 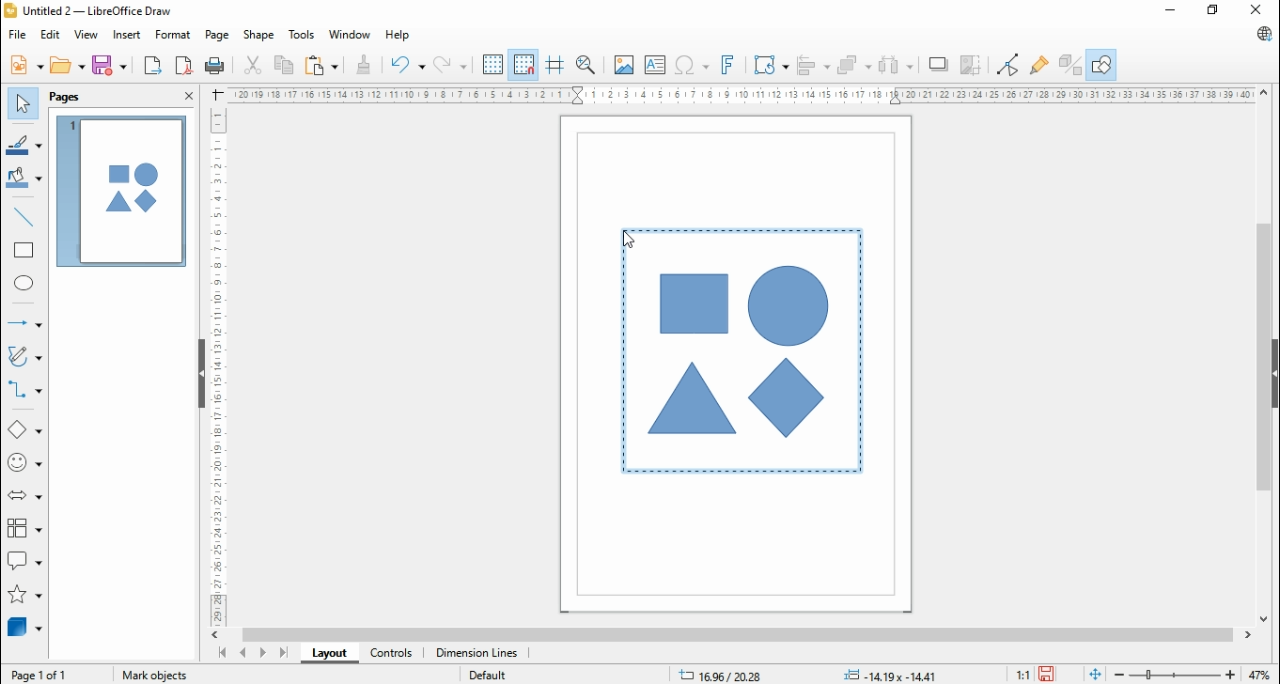 What do you see at coordinates (351, 34) in the screenshot?
I see `window` at bounding box center [351, 34].